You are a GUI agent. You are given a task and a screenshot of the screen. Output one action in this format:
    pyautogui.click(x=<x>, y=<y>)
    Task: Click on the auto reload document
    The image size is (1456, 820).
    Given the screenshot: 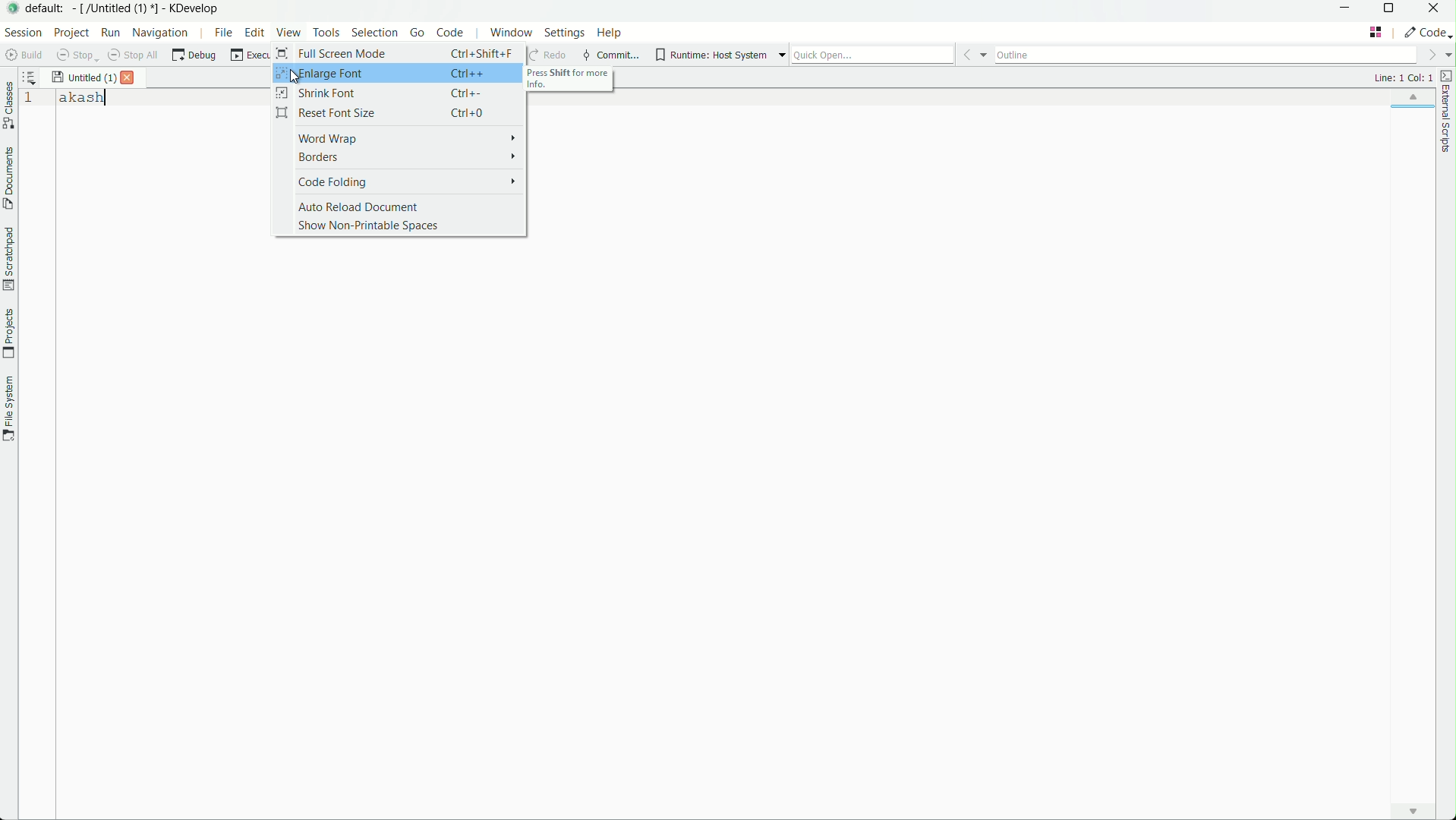 What is the action you would take?
    pyautogui.click(x=400, y=206)
    